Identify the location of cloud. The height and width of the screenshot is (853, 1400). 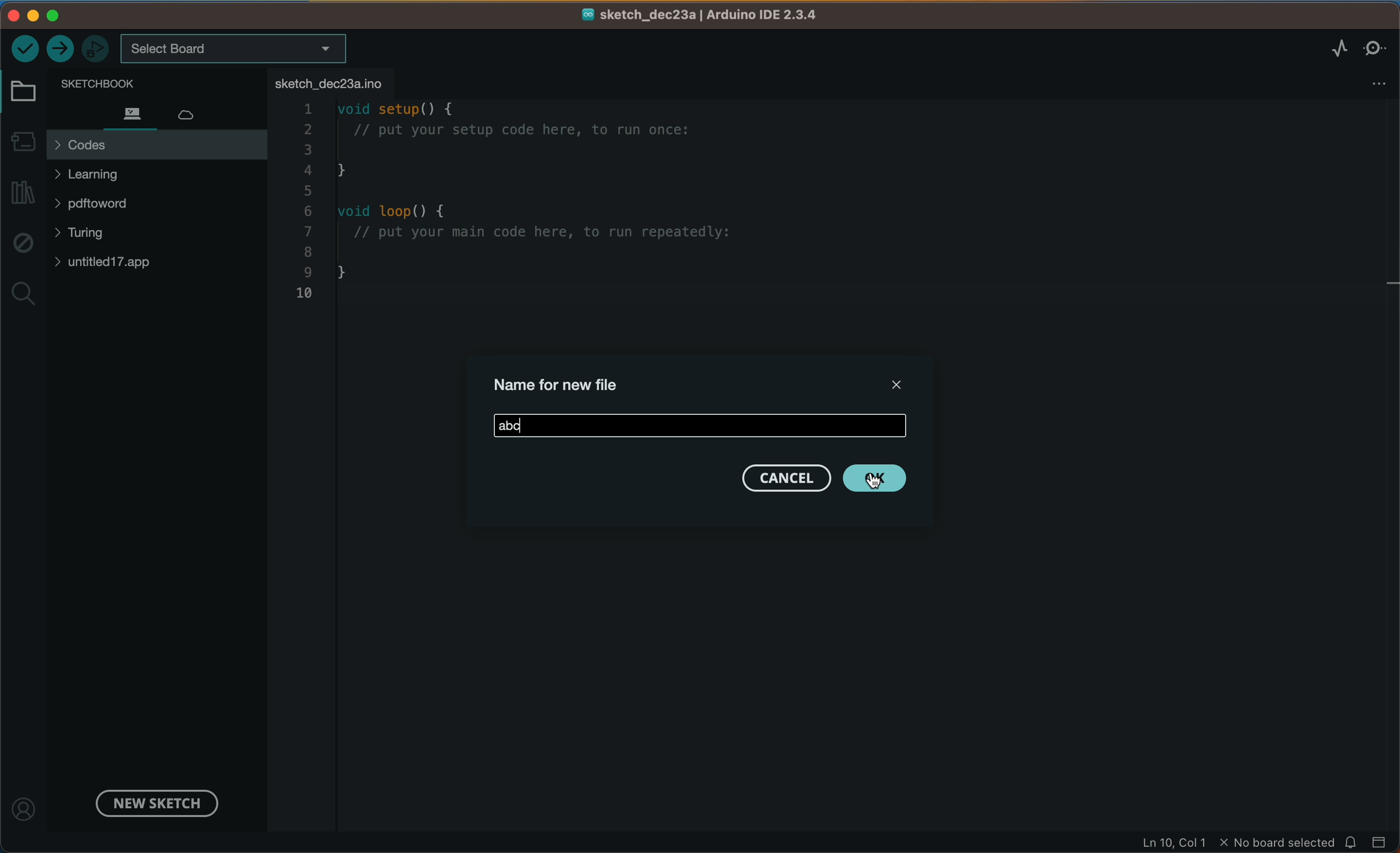
(197, 111).